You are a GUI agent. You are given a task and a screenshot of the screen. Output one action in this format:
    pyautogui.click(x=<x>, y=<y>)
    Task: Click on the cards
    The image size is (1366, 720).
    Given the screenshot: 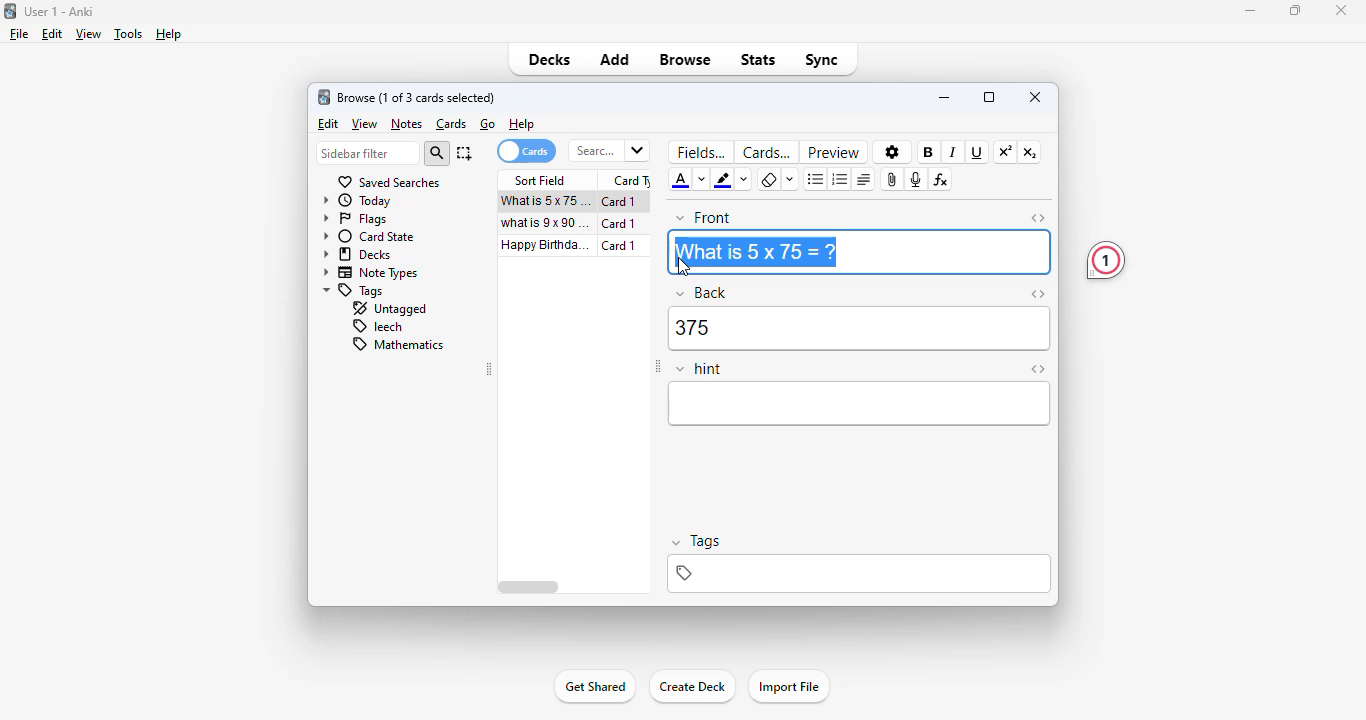 What is the action you would take?
    pyautogui.click(x=527, y=151)
    